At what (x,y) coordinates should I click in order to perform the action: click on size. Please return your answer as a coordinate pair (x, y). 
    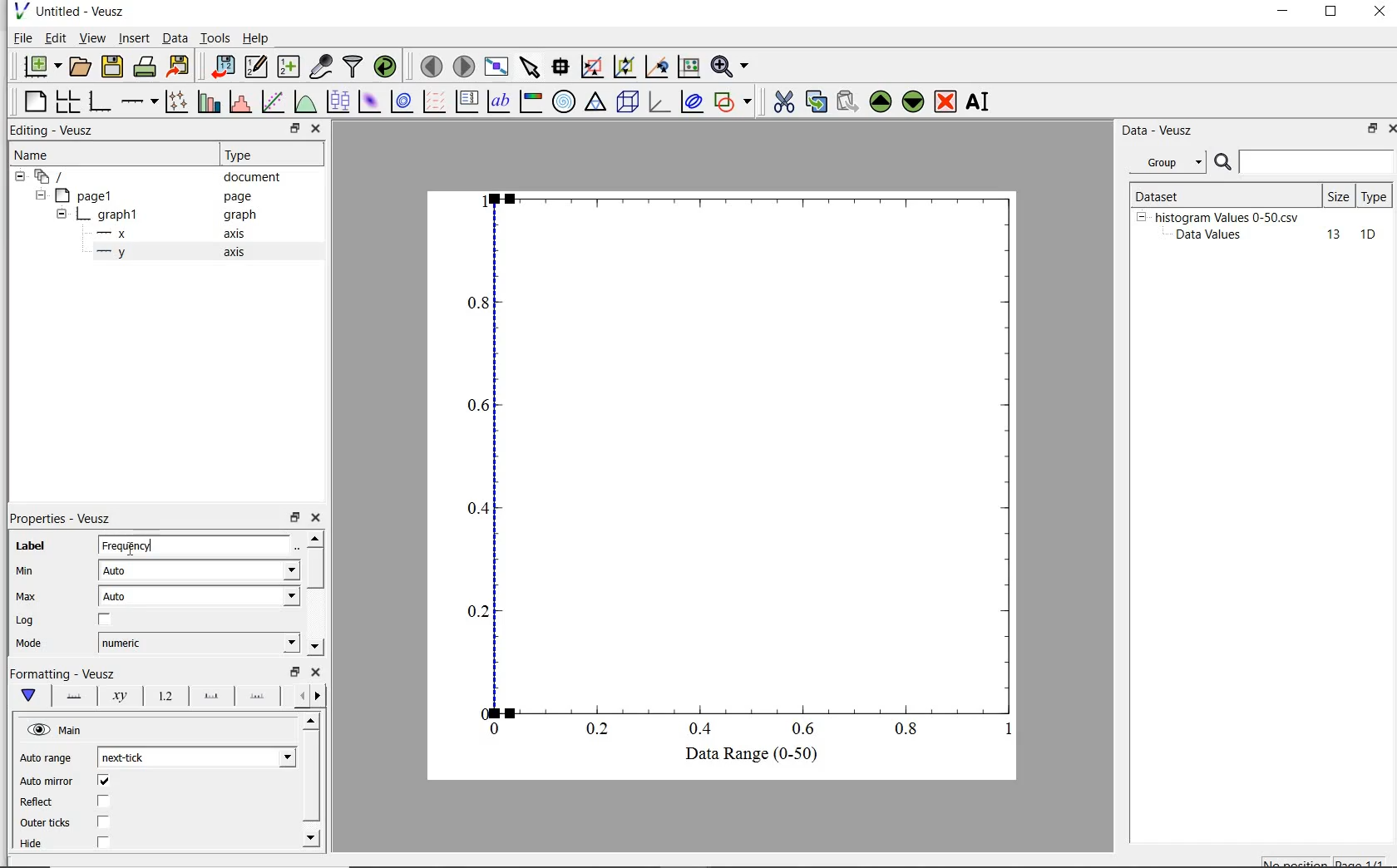
    Looking at the image, I should click on (1338, 196).